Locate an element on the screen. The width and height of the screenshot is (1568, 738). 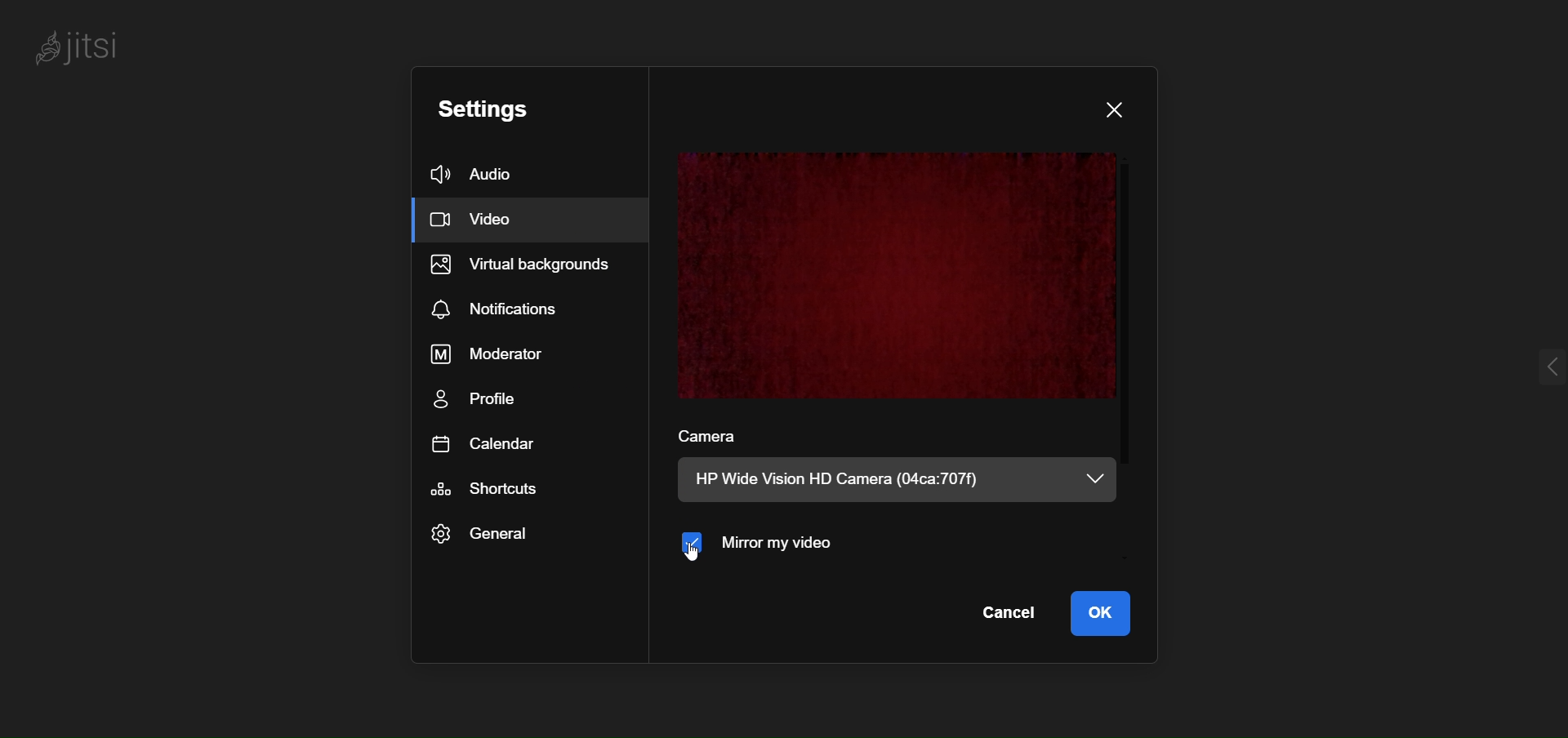
virtual background is located at coordinates (532, 263).